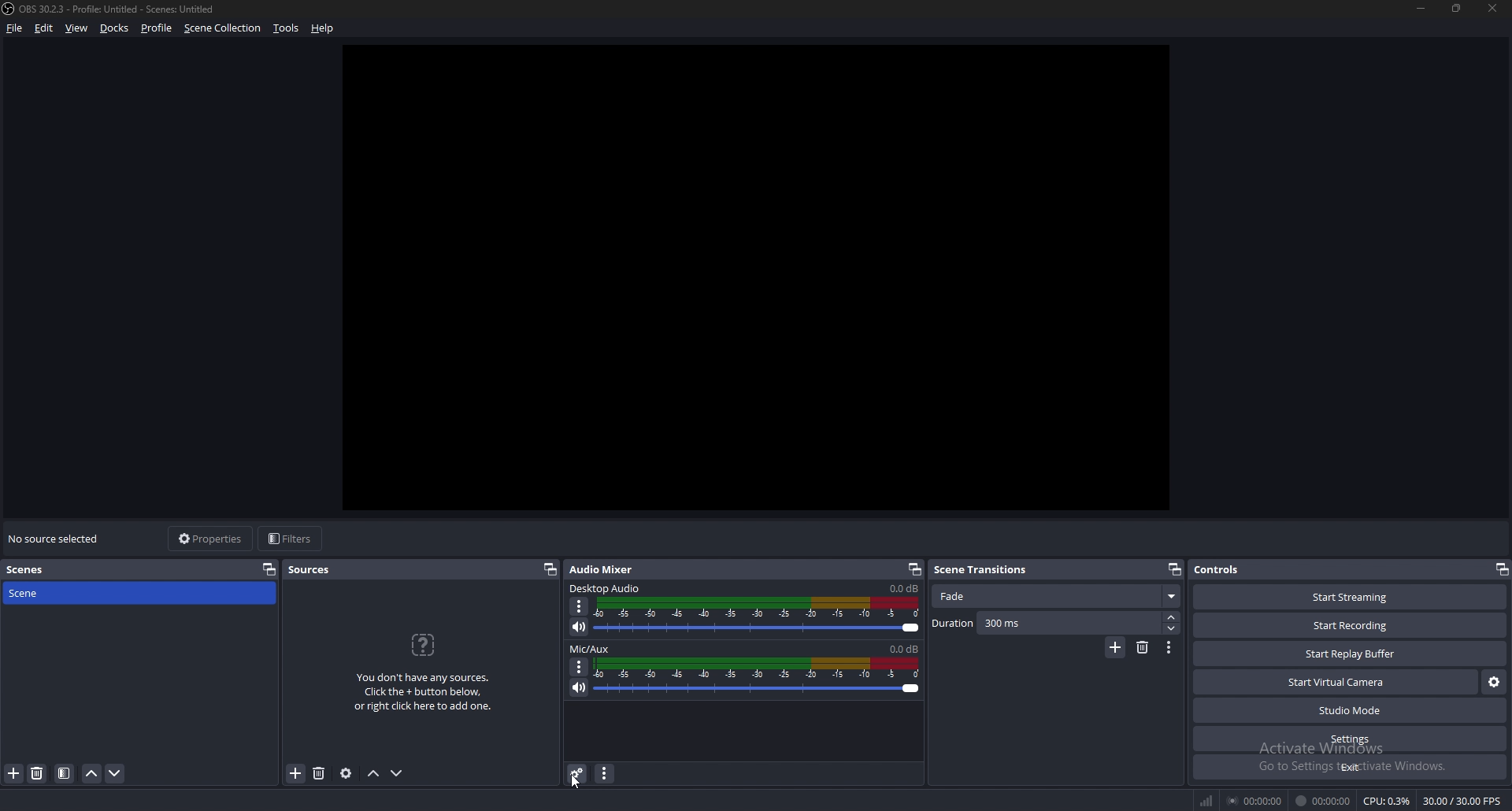  What do you see at coordinates (1457, 8) in the screenshot?
I see `resize` at bounding box center [1457, 8].